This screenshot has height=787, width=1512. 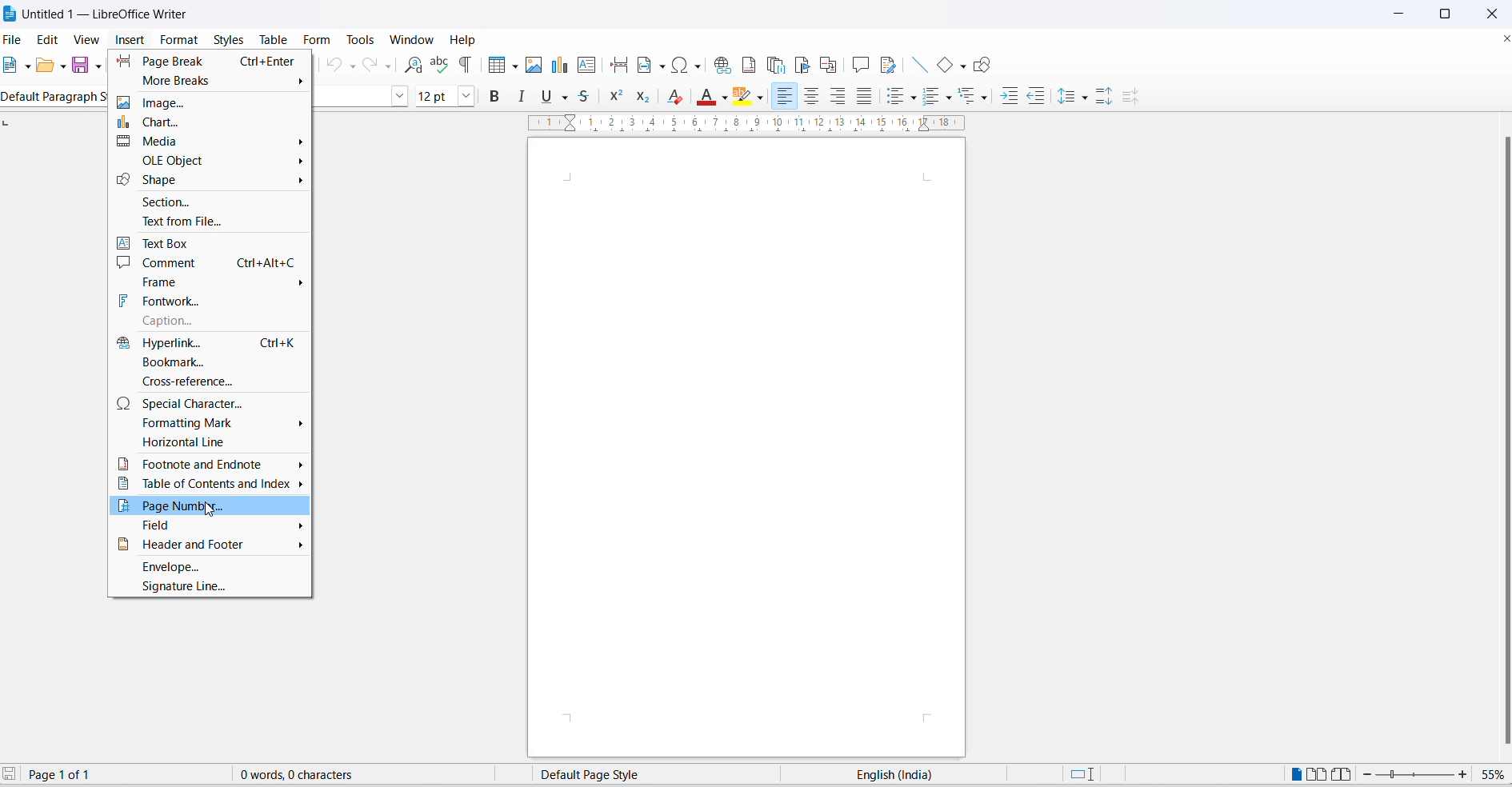 What do you see at coordinates (81, 66) in the screenshot?
I see `save` at bounding box center [81, 66].